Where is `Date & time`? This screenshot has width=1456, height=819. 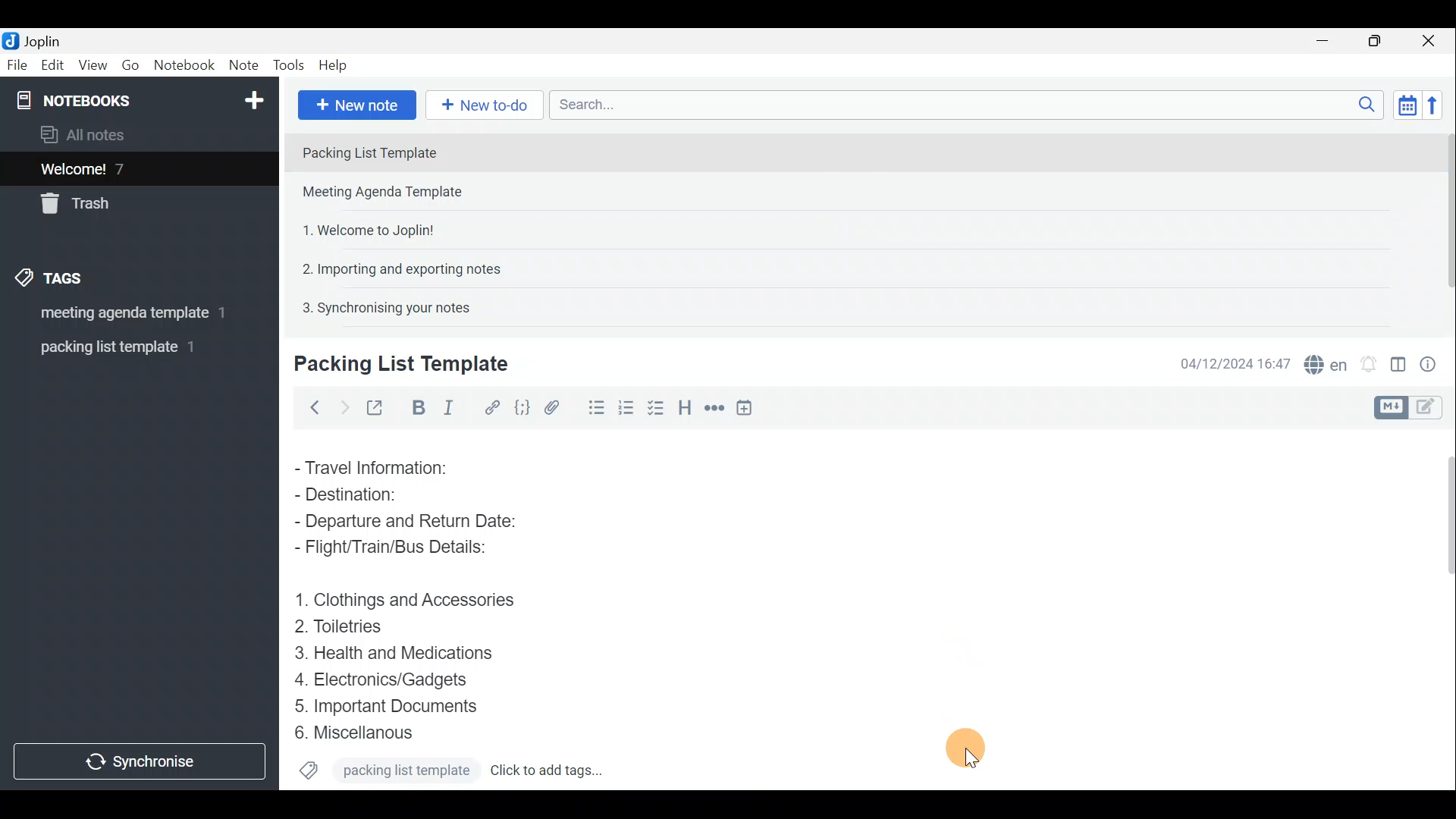 Date & time is located at coordinates (1235, 362).